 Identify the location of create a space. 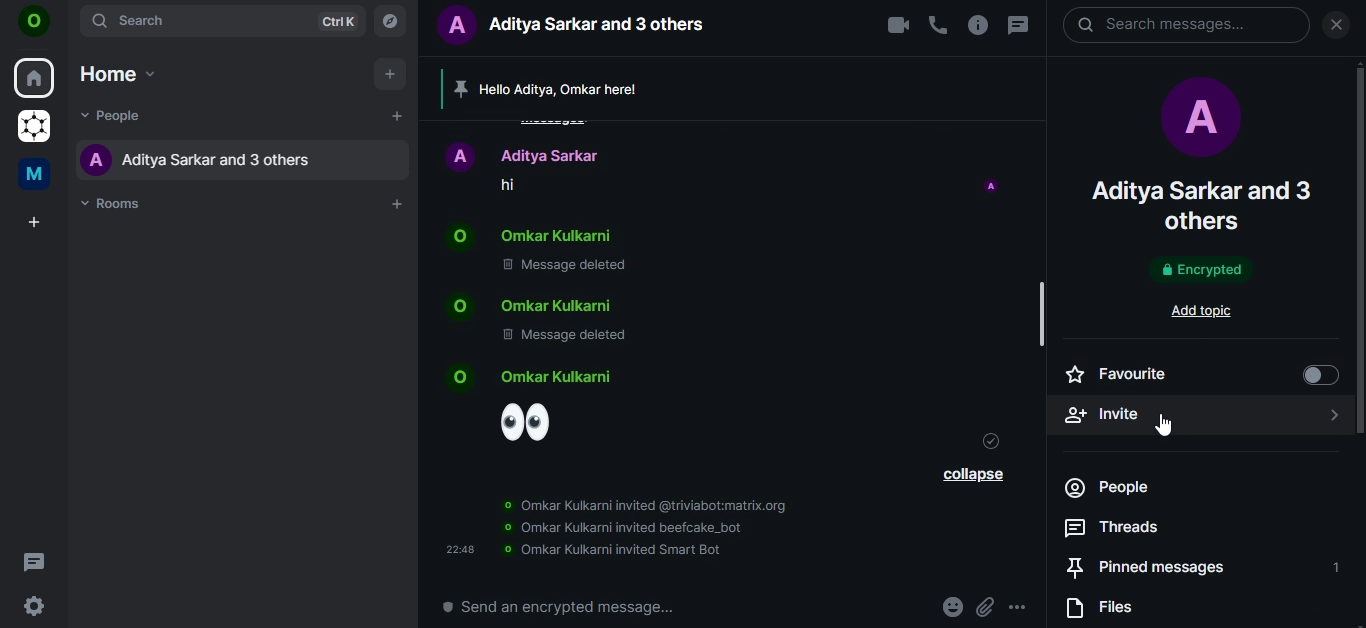
(32, 223).